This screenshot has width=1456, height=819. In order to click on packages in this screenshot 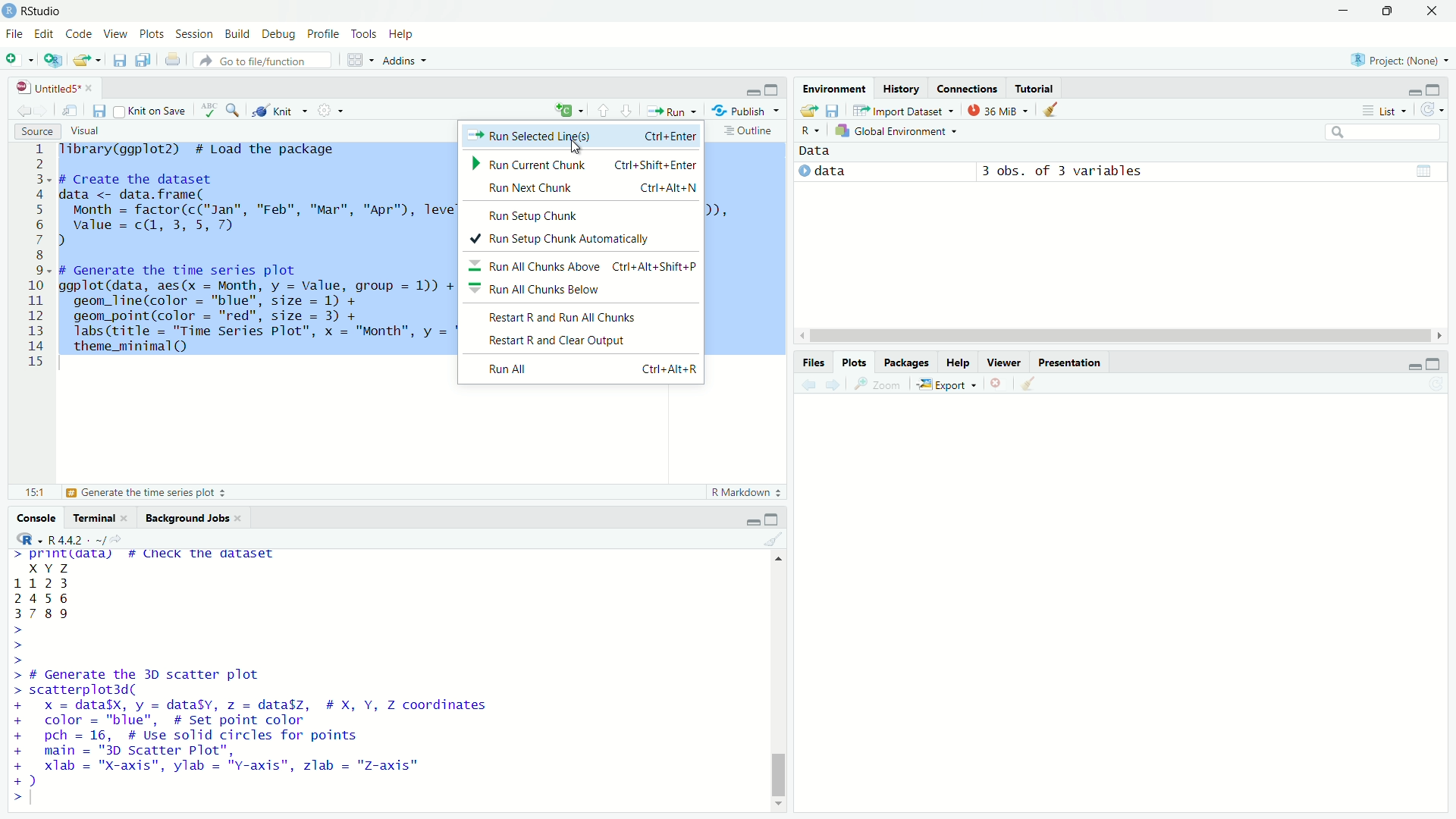, I will do `click(908, 363)`.